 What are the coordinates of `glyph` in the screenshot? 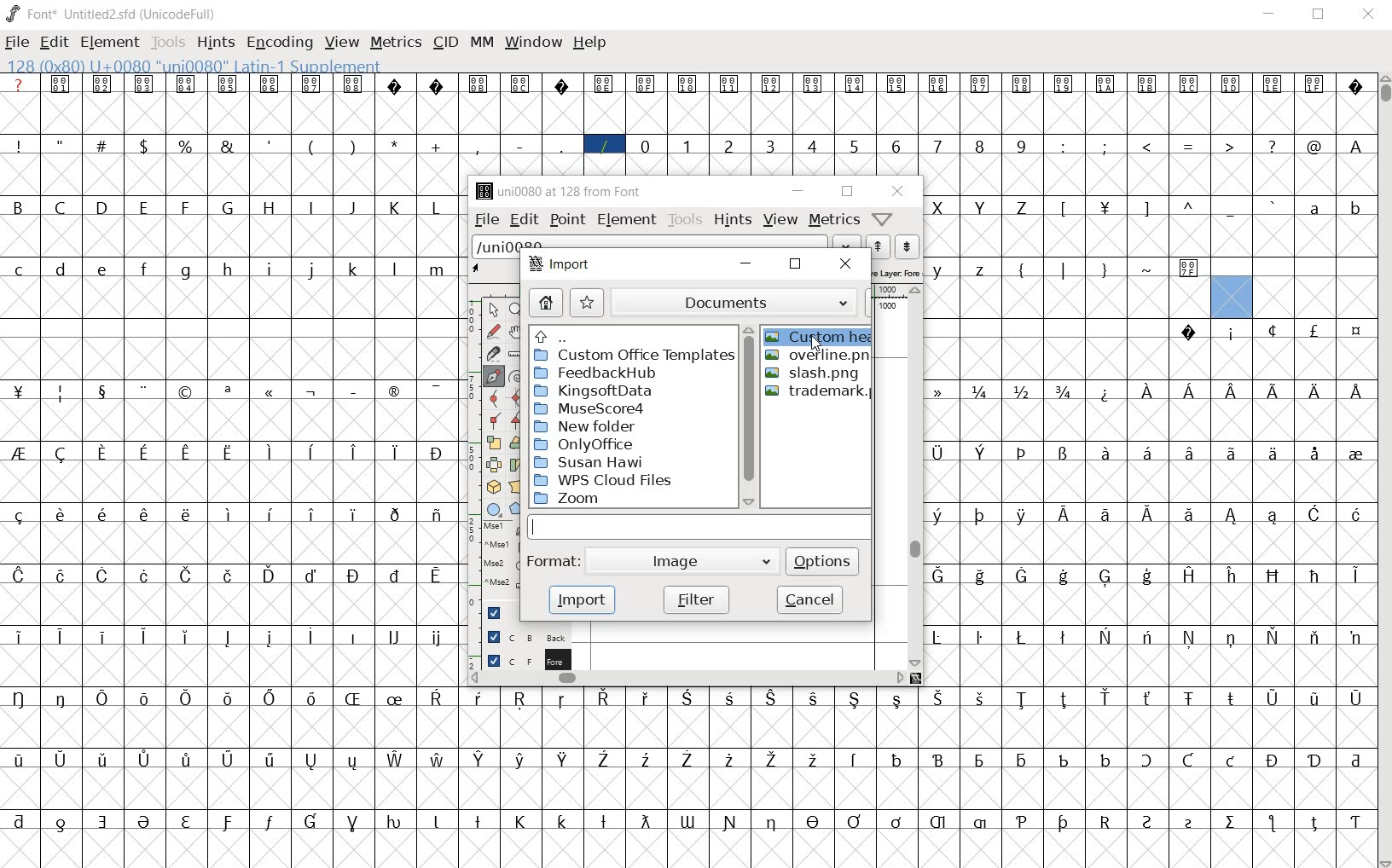 It's located at (103, 393).